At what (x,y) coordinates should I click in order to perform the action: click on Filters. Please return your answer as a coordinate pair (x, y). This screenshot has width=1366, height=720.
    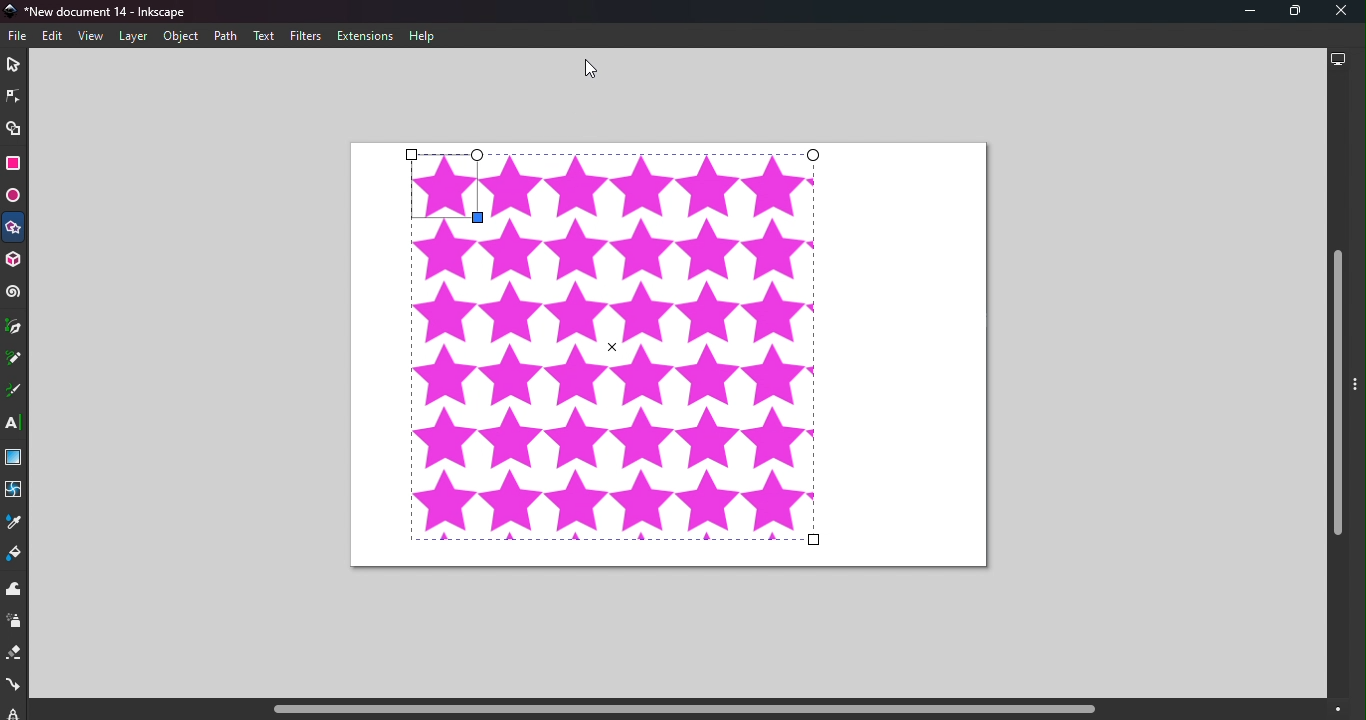
    Looking at the image, I should click on (306, 36).